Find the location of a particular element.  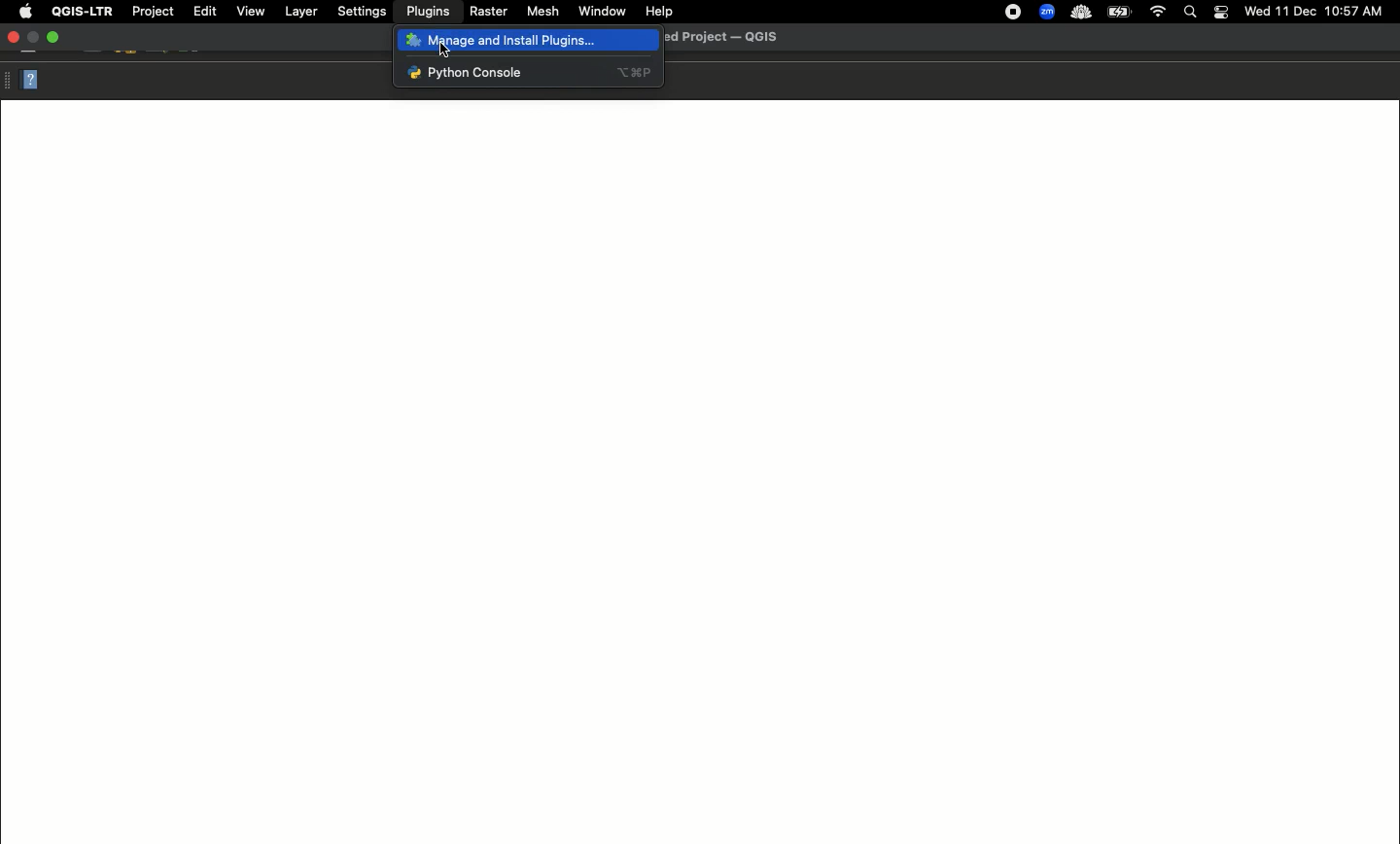

Charge is located at coordinates (1124, 12).